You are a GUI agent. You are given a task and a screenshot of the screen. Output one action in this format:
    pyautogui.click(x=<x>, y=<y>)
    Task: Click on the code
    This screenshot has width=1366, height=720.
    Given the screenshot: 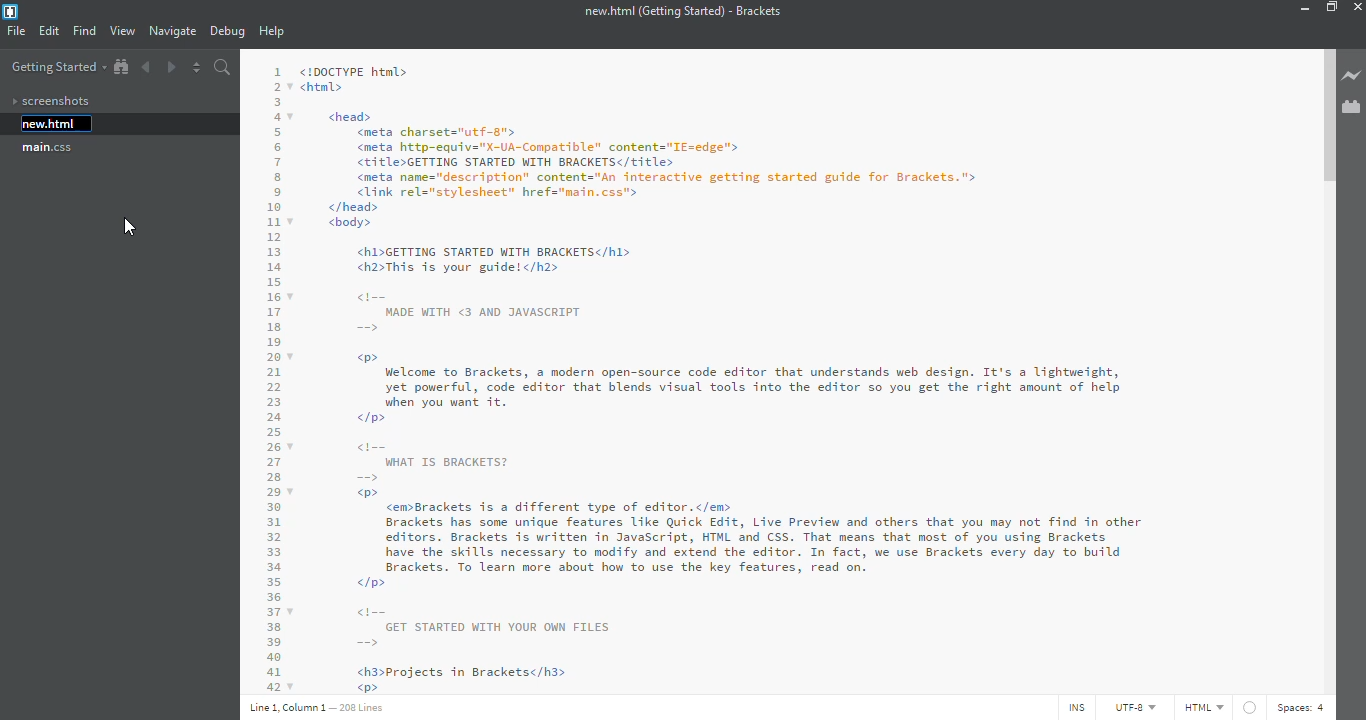 What is the action you would take?
    pyautogui.click(x=782, y=373)
    